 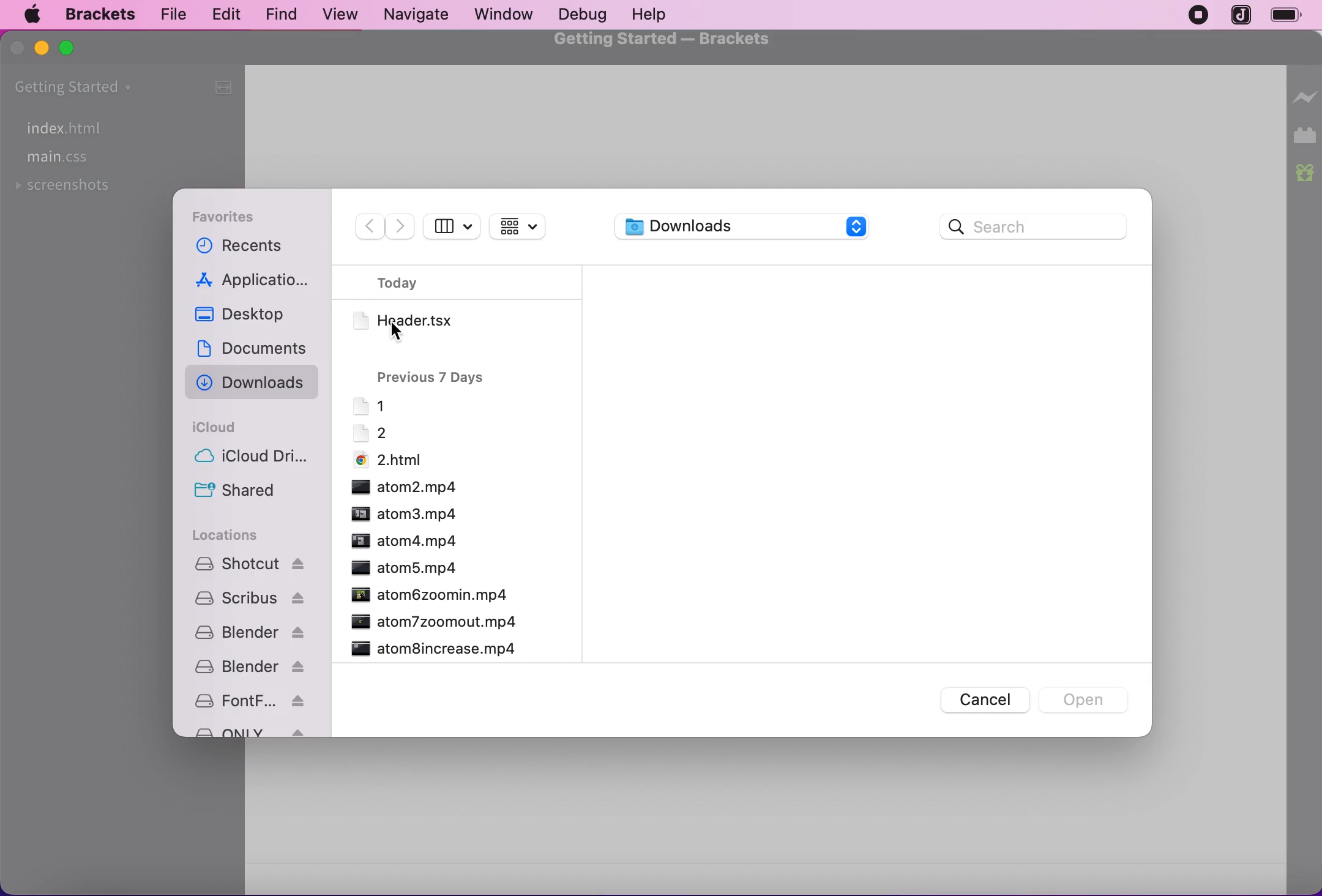 I want to click on minimize app, so click(x=44, y=50).